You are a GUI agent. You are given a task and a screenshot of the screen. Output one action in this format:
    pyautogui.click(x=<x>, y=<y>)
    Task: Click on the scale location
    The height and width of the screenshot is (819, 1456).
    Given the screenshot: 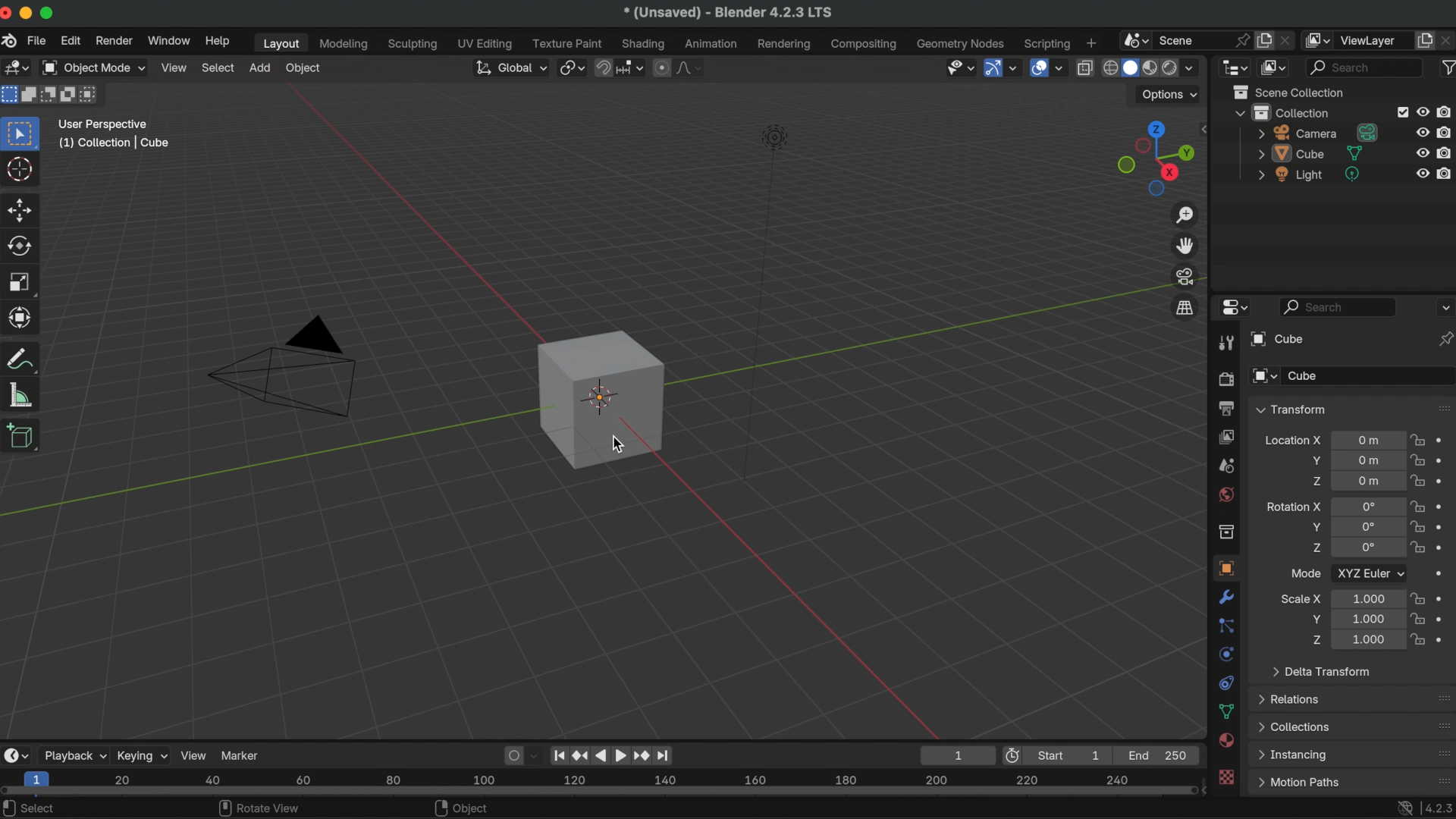 What is the action you would take?
    pyautogui.click(x=1365, y=618)
    